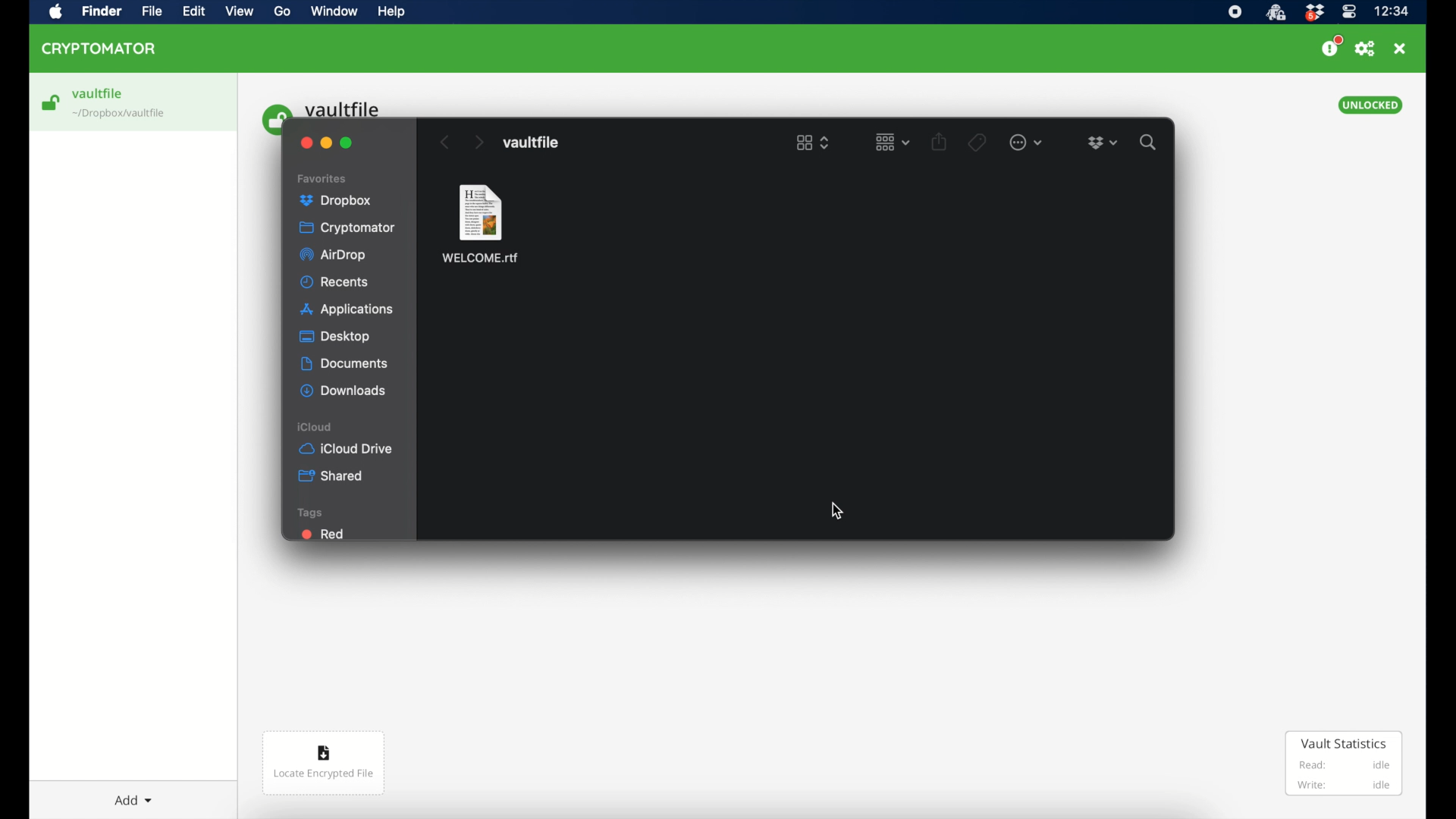  I want to click on apple icon, so click(55, 11).